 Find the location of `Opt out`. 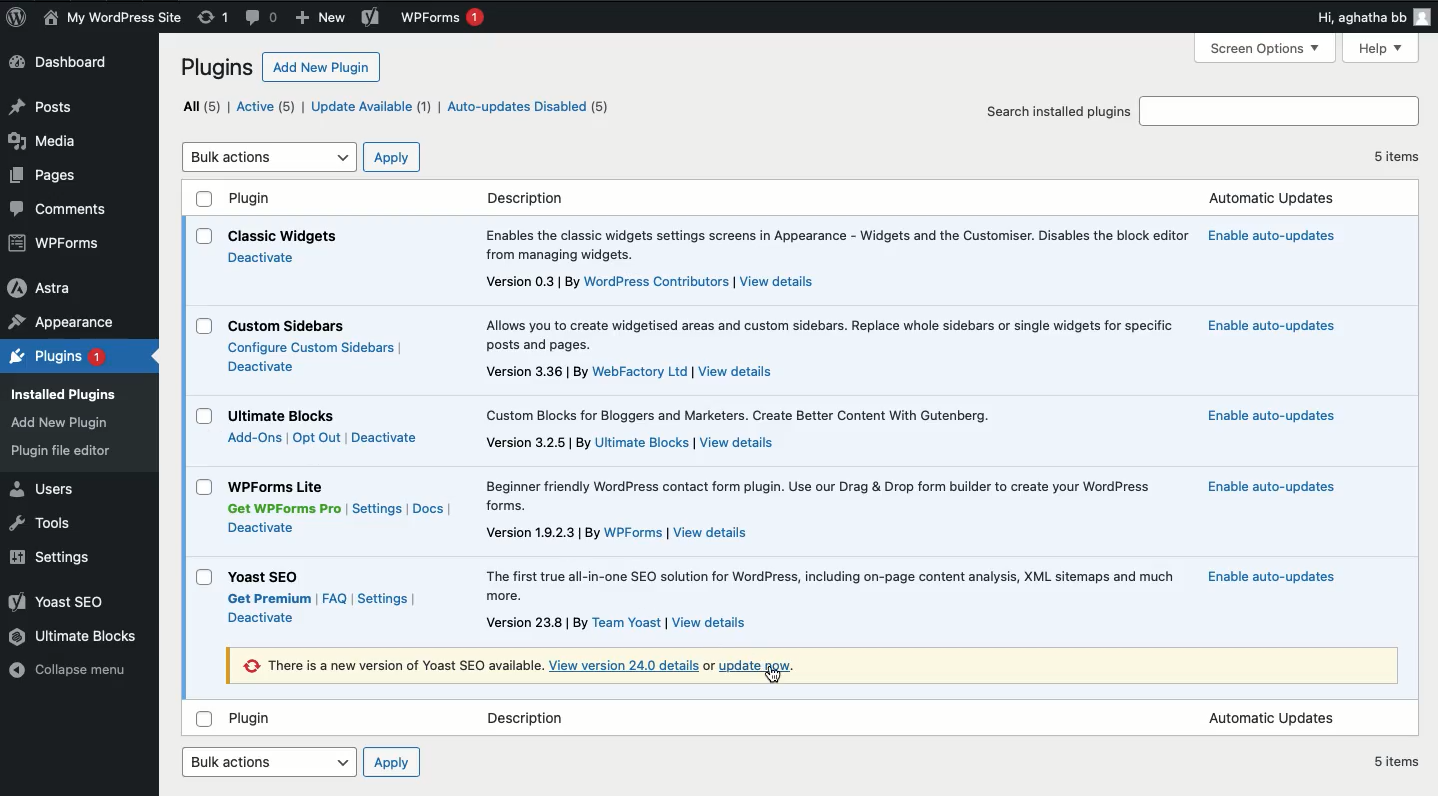

Opt out is located at coordinates (316, 438).